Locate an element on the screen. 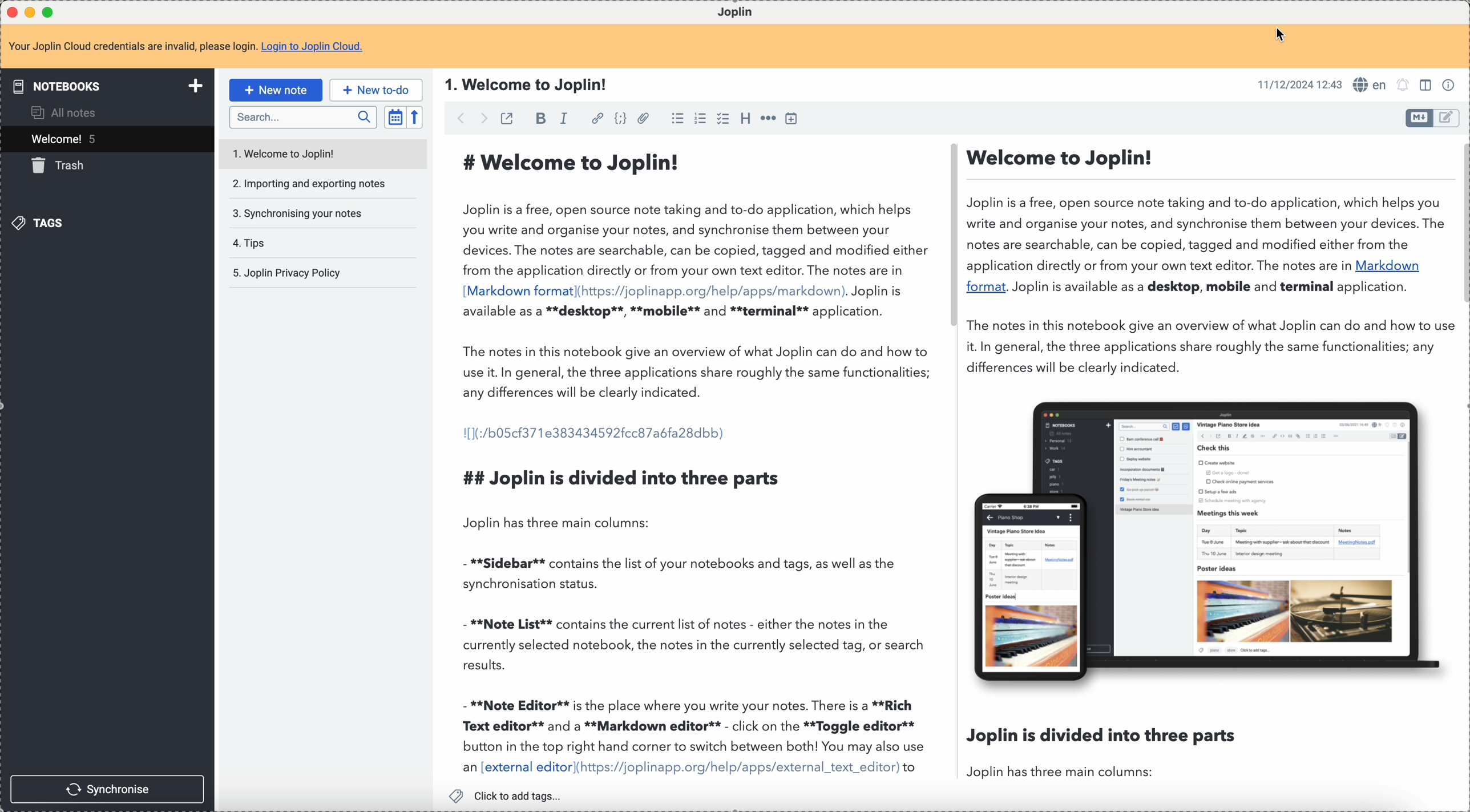  importing and exporting notes is located at coordinates (308, 184).